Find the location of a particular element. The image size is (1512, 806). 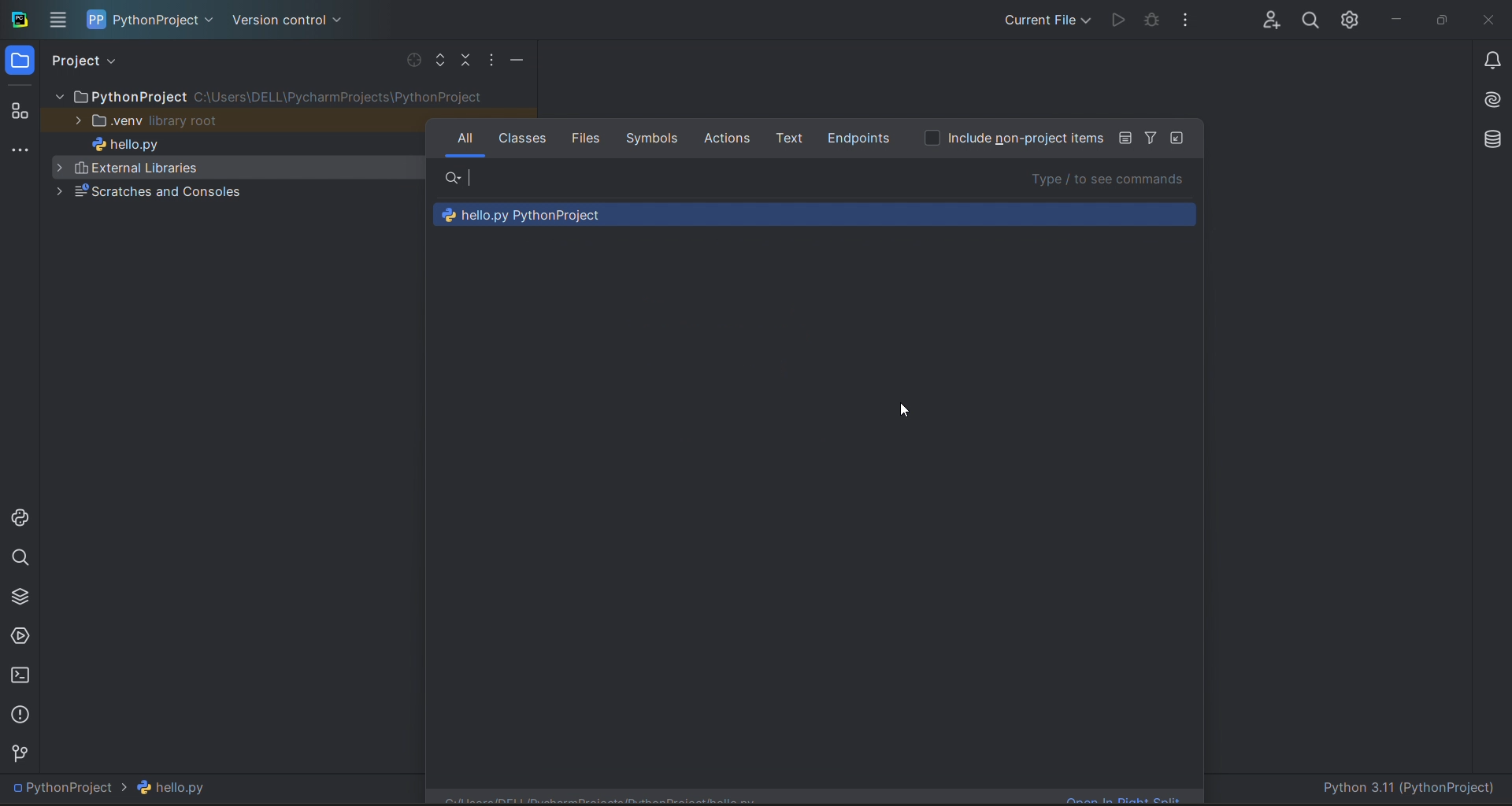

fi is located at coordinates (587, 139).